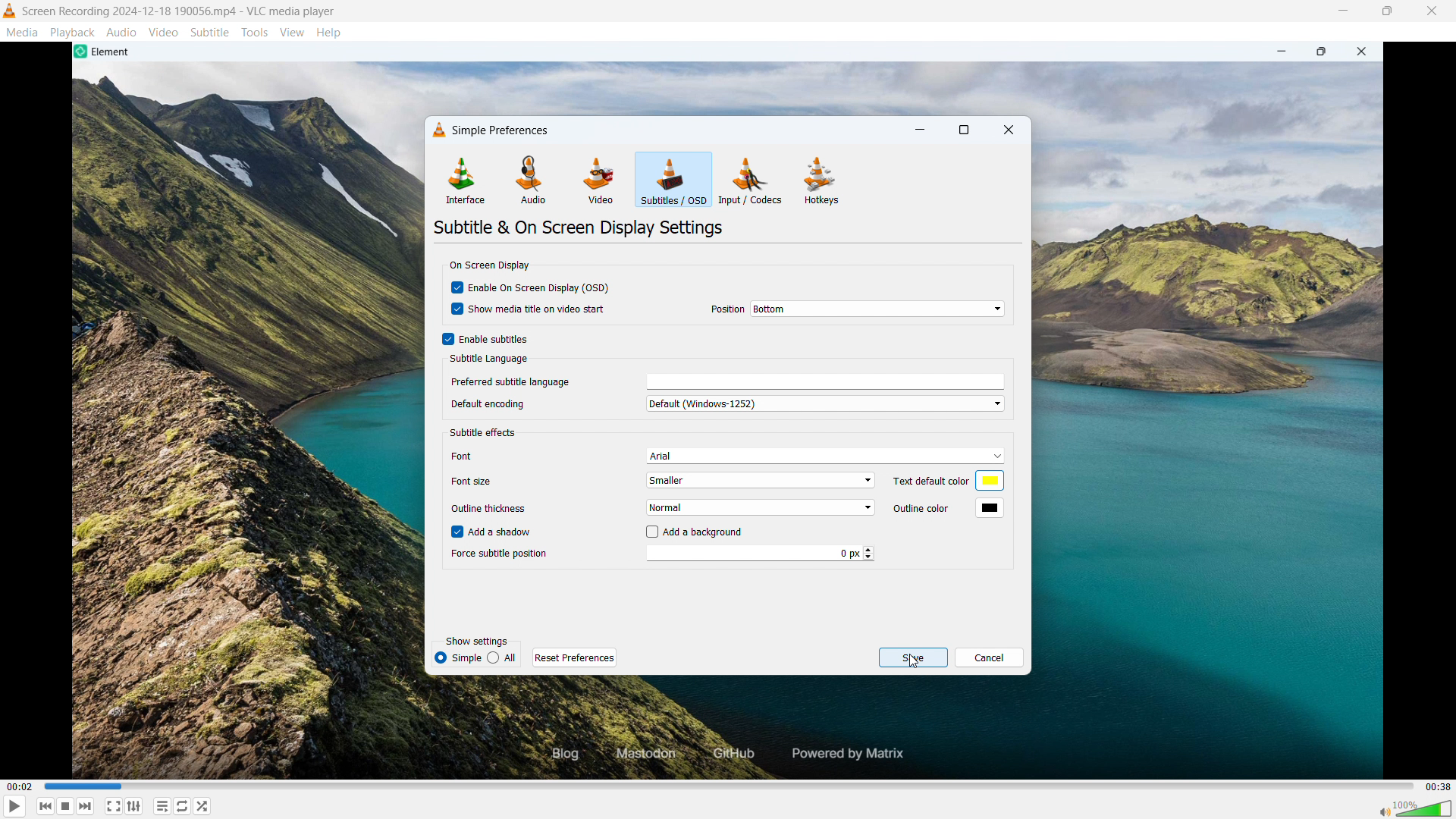  What do you see at coordinates (445, 338) in the screenshot?
I see `checkbox` at bounding box center [445, 338].